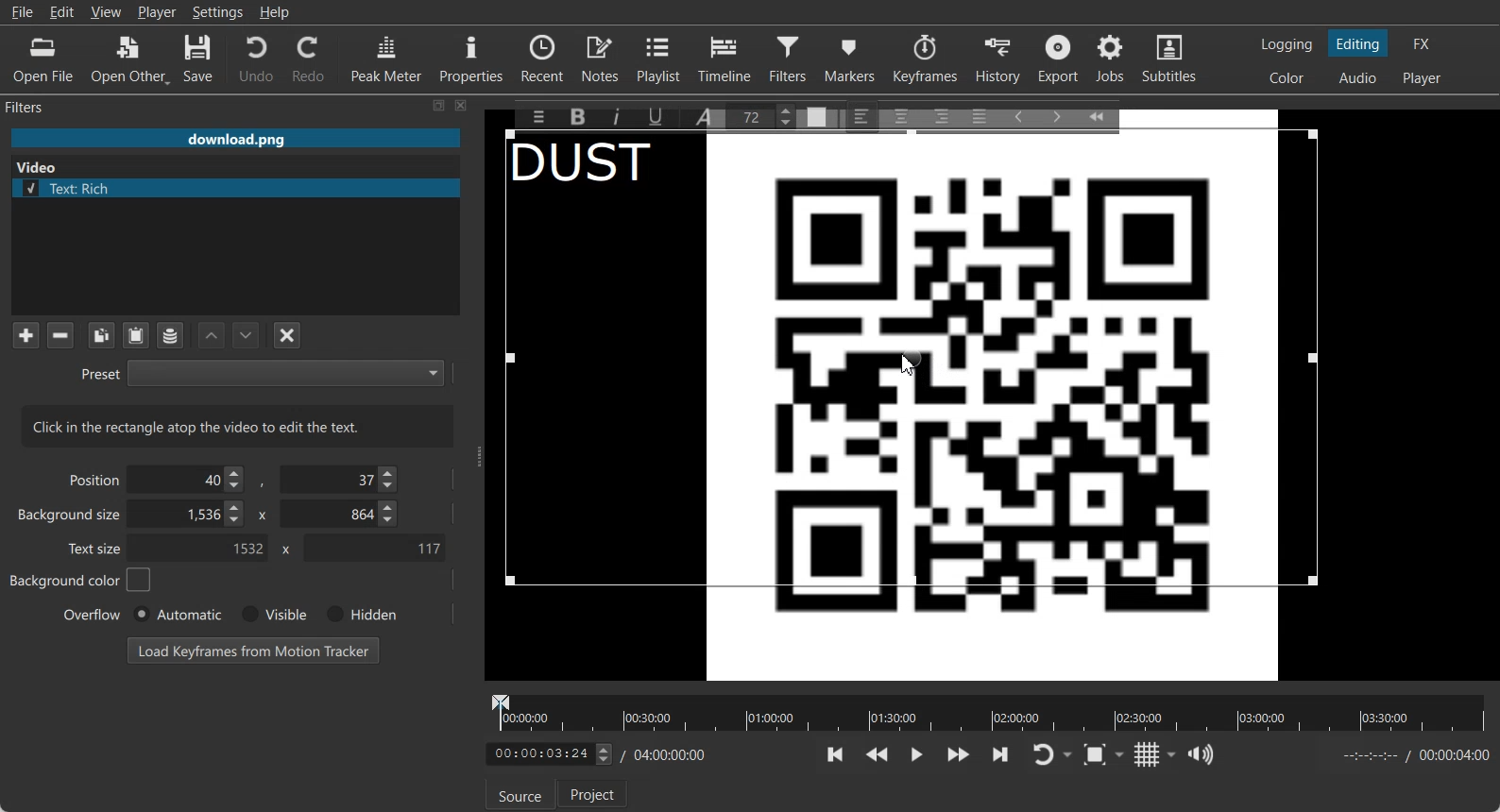 Image resolution: width=1500 pixels, height=812 pixels. Describe the element at coordinates (256, 58) in the screenshot. I see `Undo` at that location.